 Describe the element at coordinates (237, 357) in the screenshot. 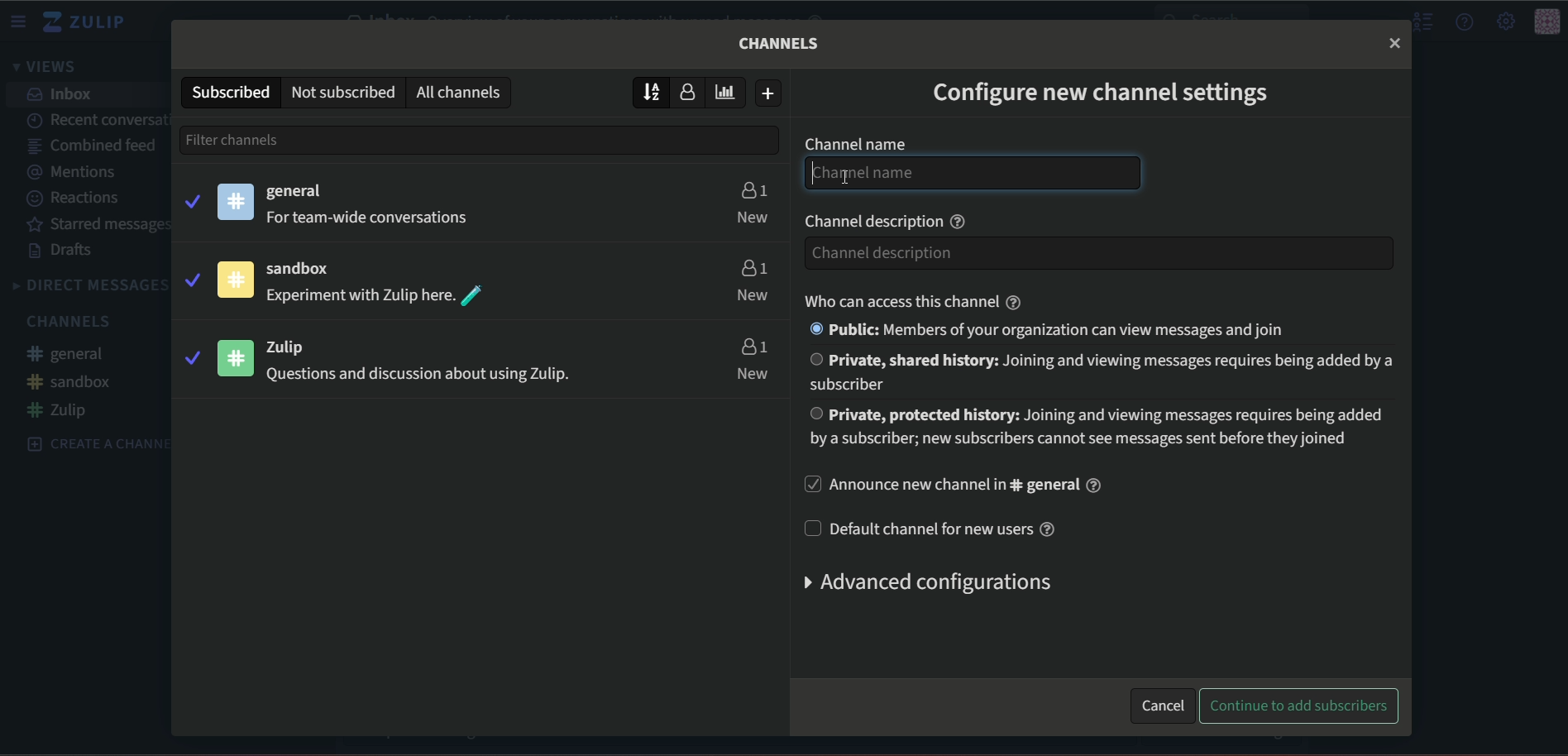

I see `icon` at that location.